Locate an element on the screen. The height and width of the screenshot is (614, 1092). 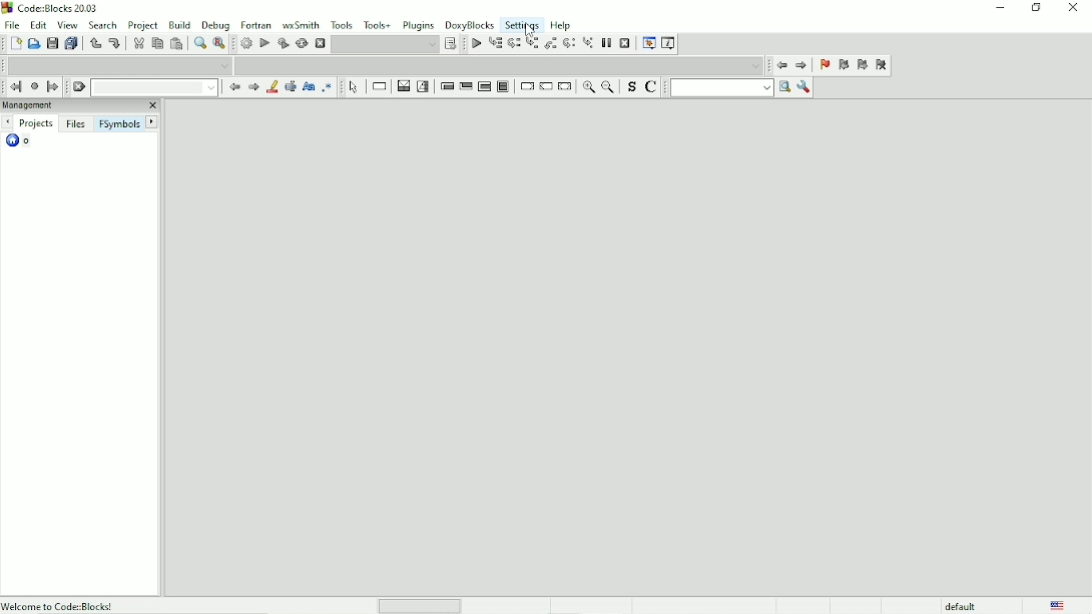
Build and run is located at coordinates (282, 43).